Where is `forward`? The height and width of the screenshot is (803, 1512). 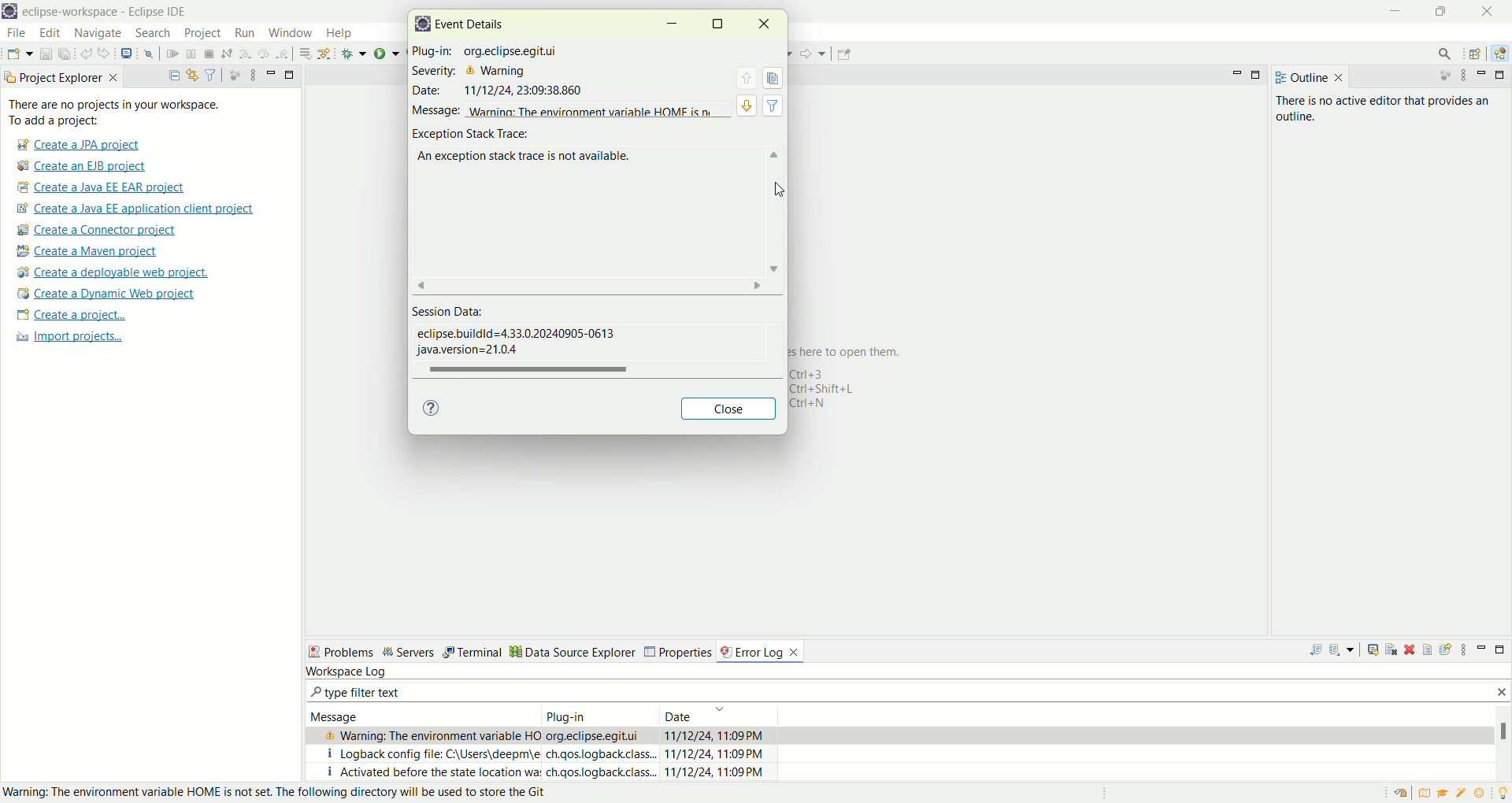
forward is located at coordinates (813, 52).